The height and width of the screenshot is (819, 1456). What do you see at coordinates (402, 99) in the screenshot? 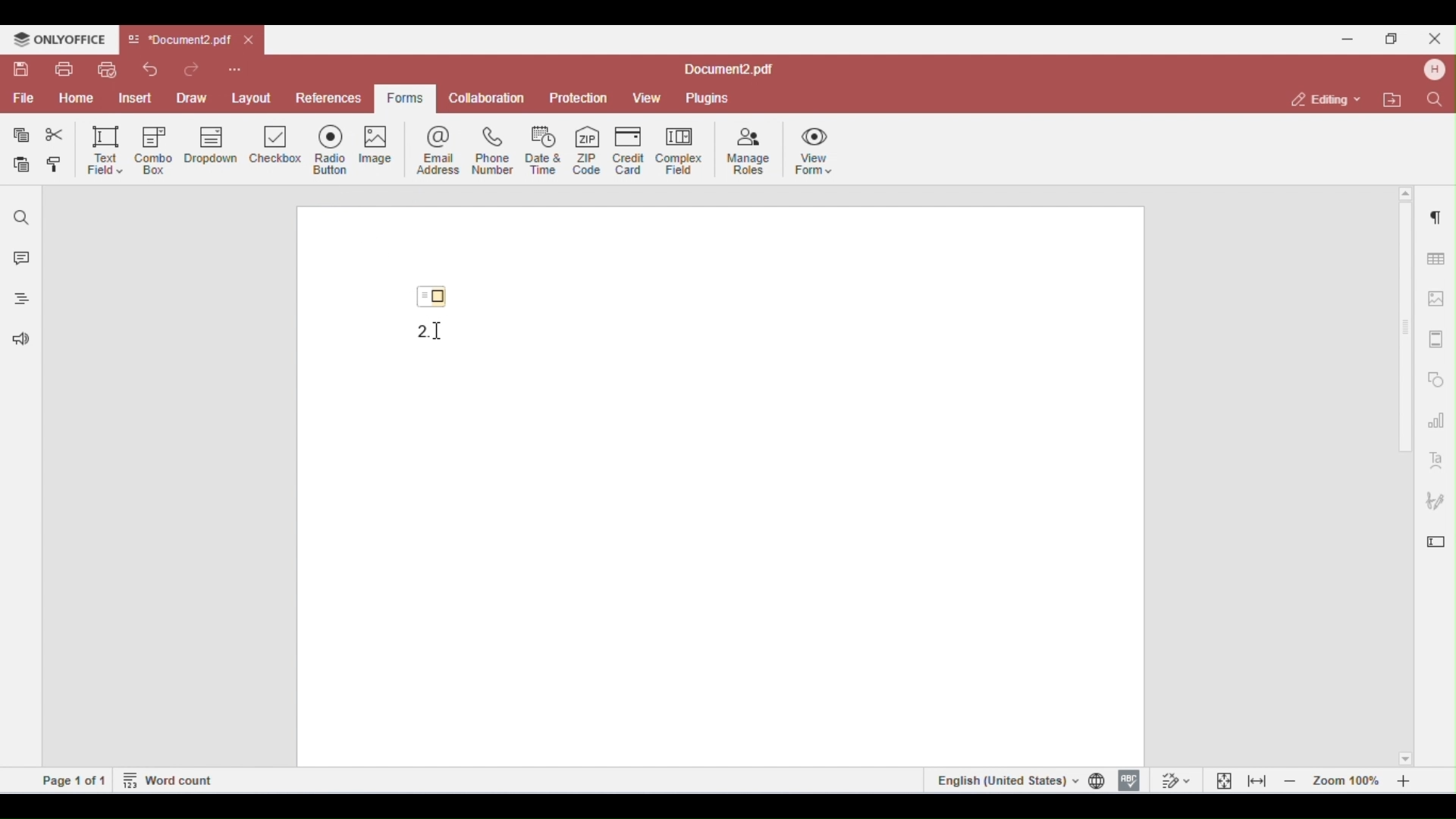
I see `forms` at bounding box center [402, 99].